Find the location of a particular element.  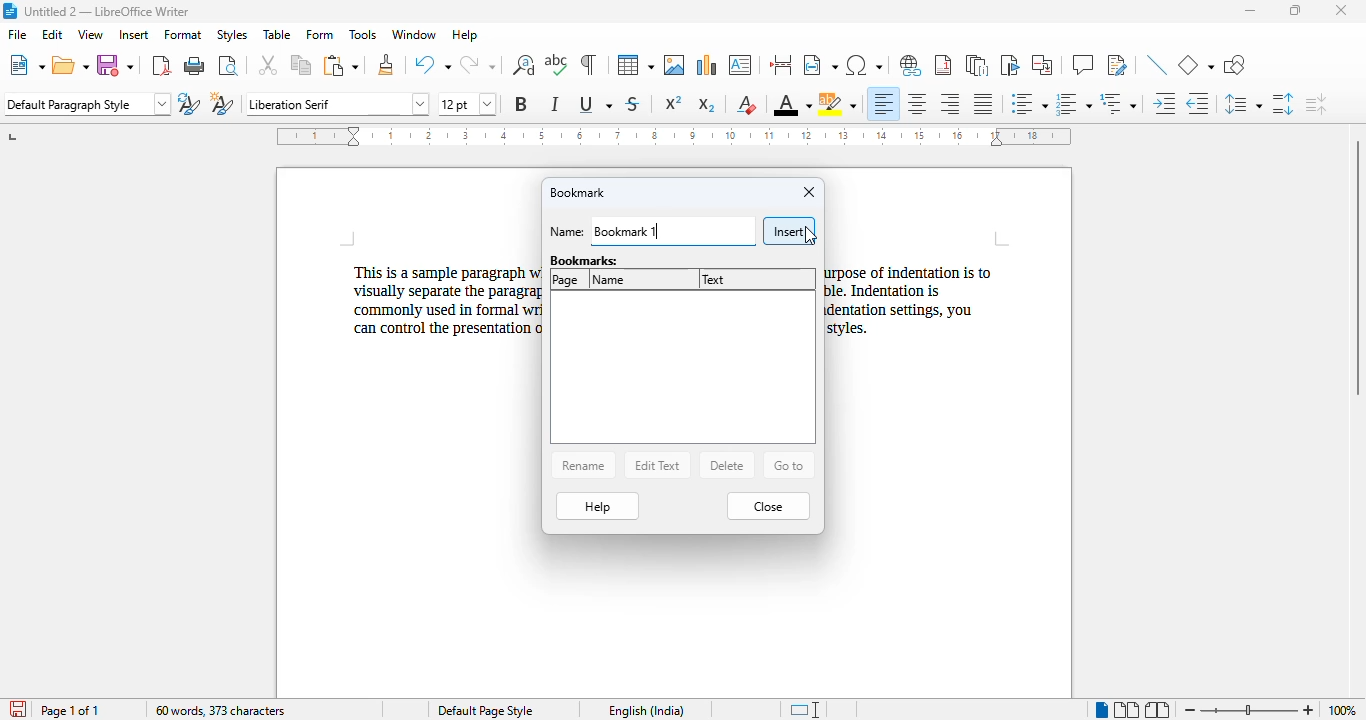

insert bookmark is located at coordinates (1009, 65).